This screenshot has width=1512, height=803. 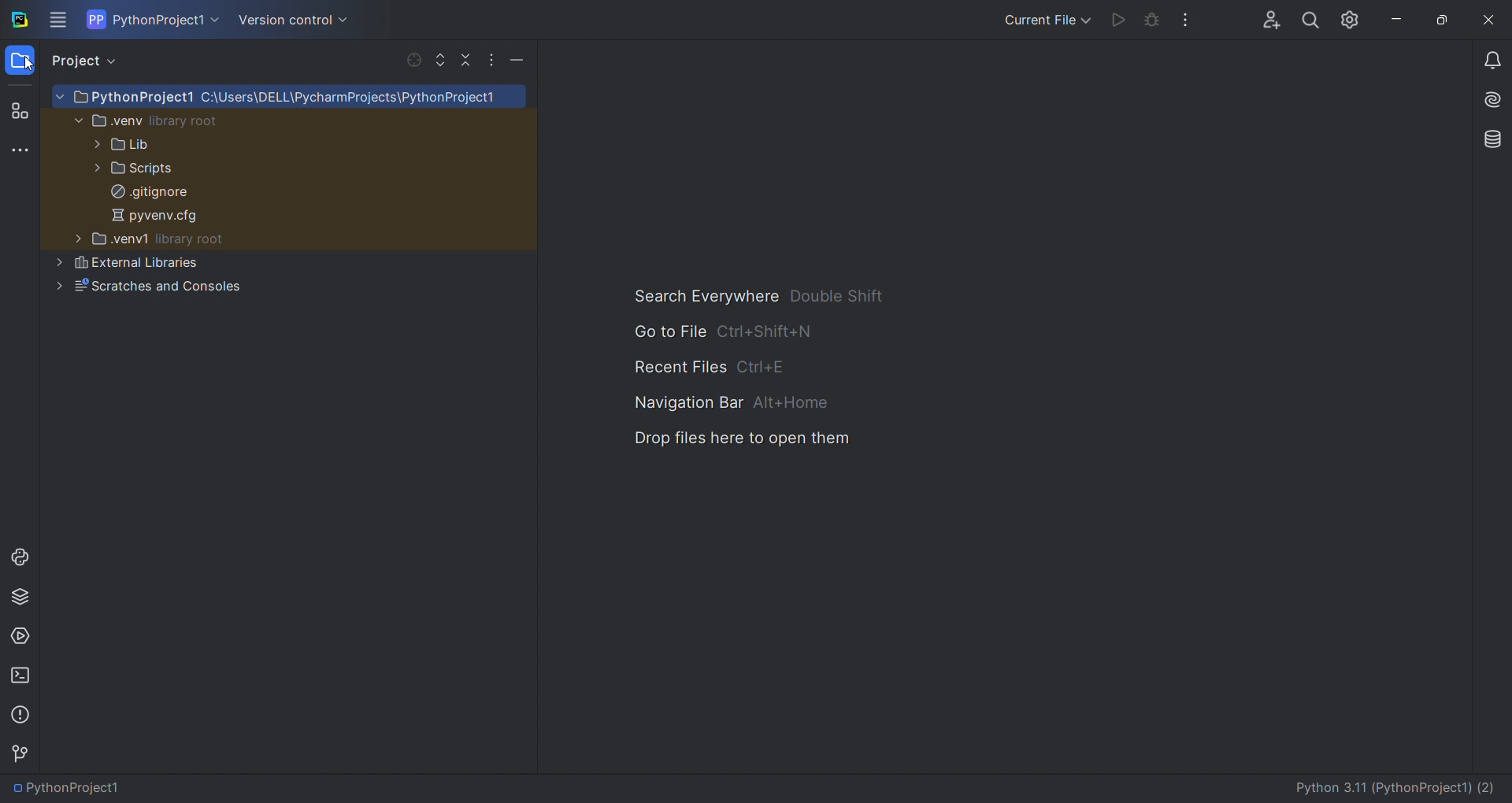 What do you see at coordinates (22, 637) in the screenshot?
I see `services` at bounding box center [22, 637].